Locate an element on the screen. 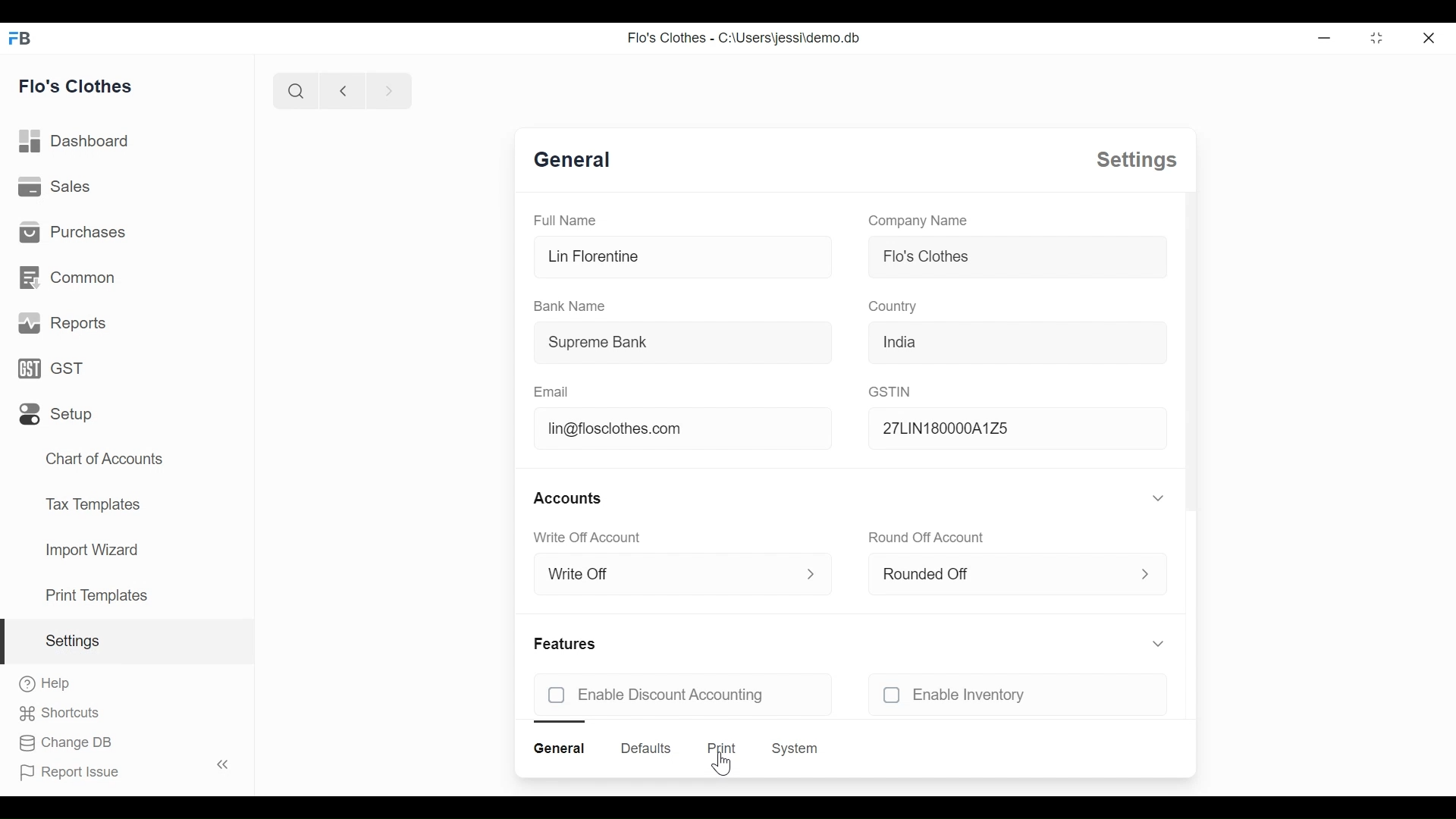 The width and height of the screenshot is (1456, 819). write off is located at coordinates (648, 574).